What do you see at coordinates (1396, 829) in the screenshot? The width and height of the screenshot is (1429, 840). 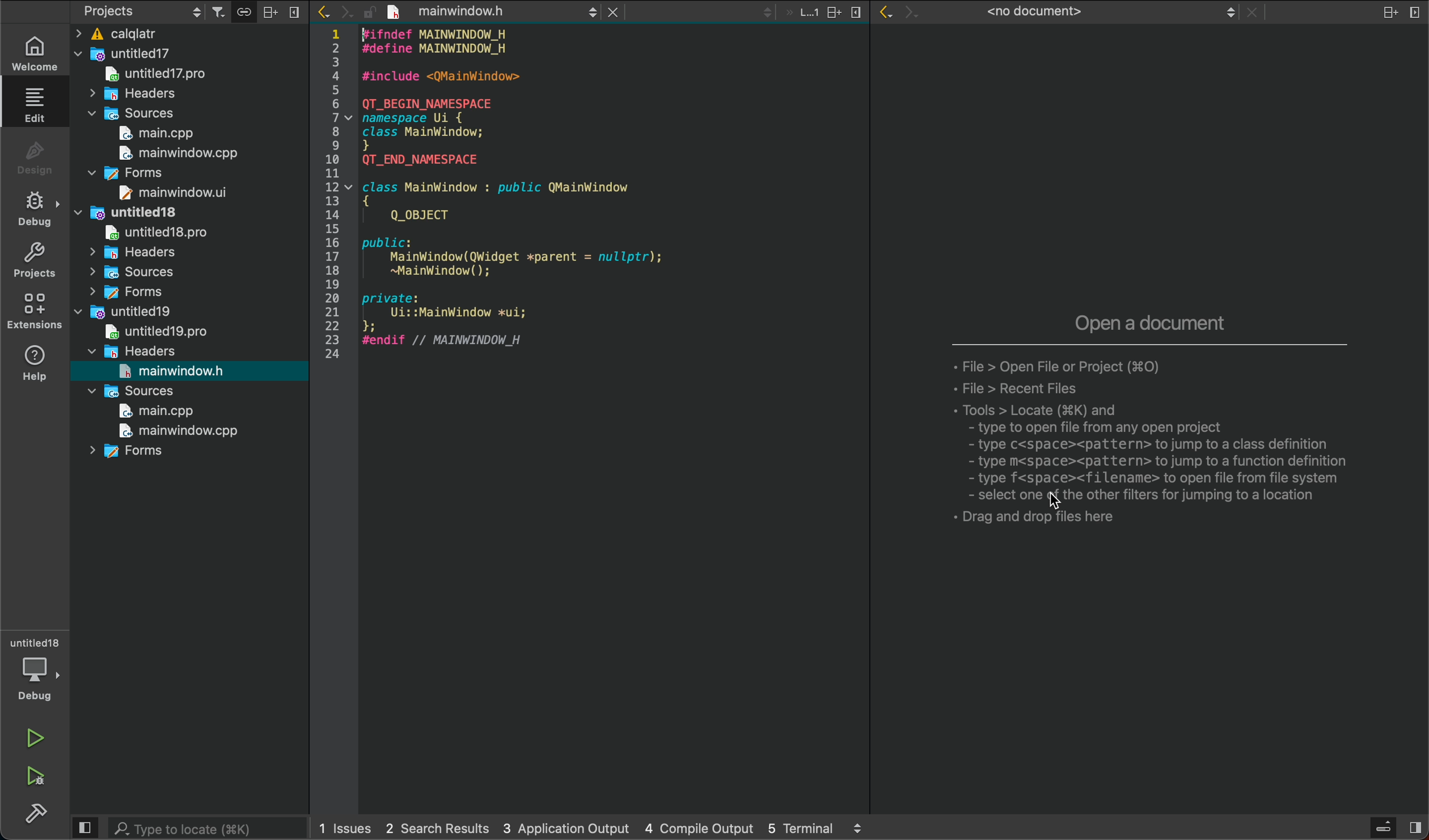 I see `close slide bar` at bounding box center [1396, 829].